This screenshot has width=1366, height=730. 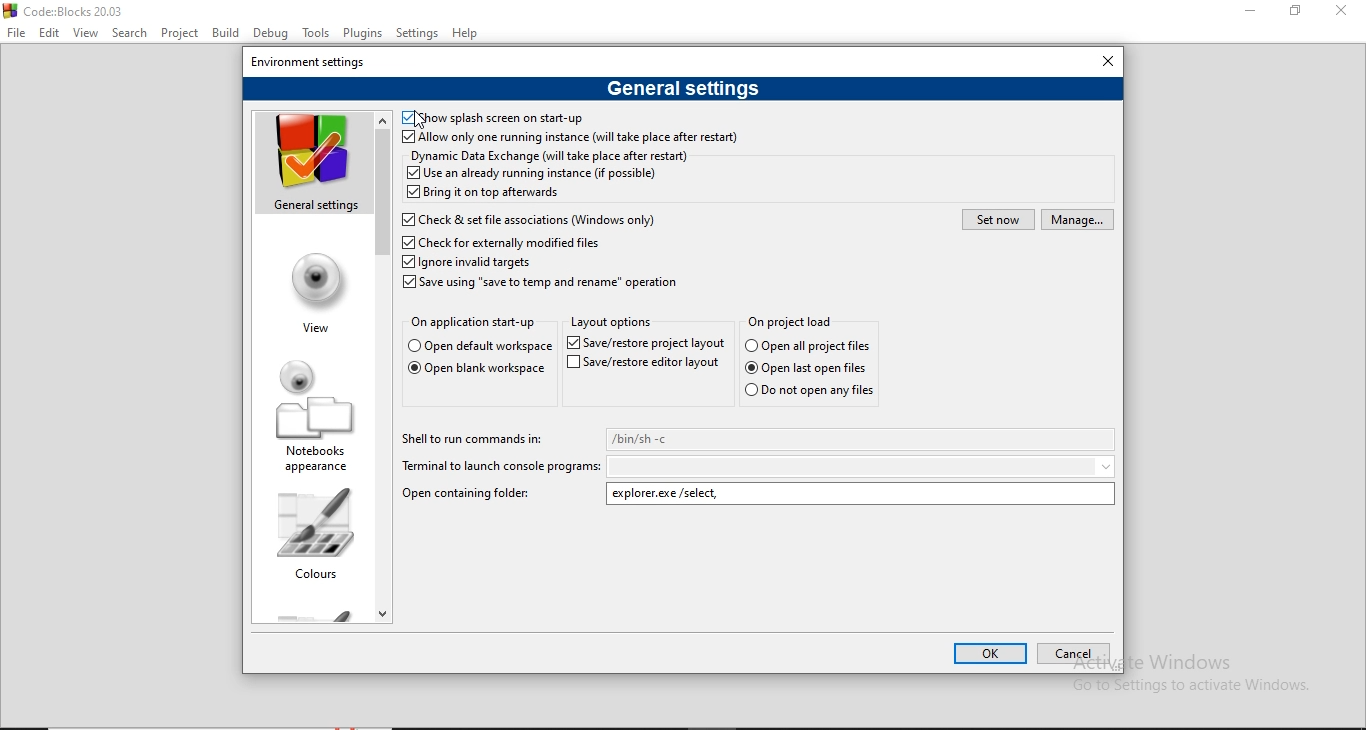 I want to click on Search , so click(x=129, y=32).